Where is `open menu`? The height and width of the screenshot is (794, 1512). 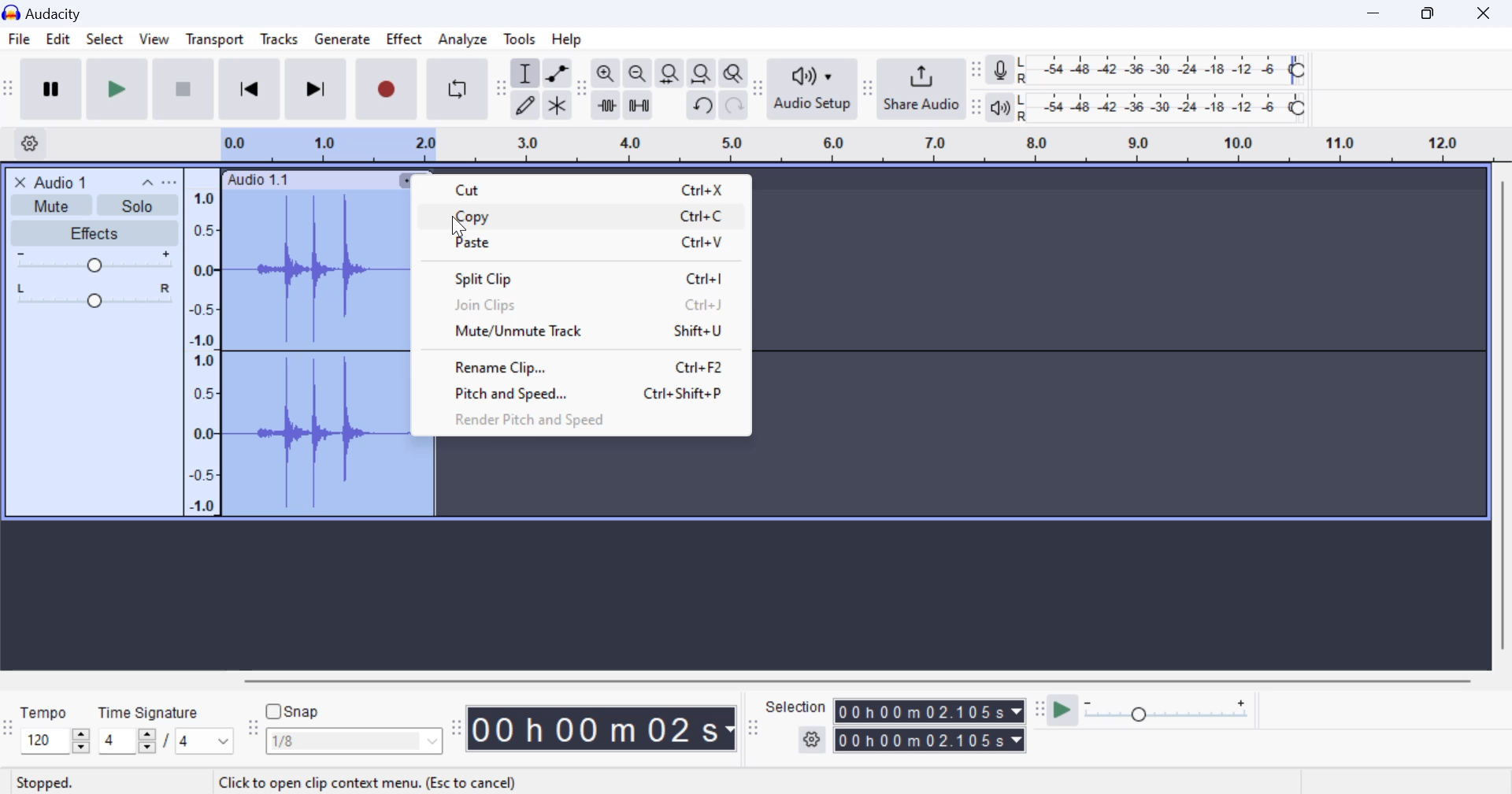
open menu is located at coordinates (169, 182).